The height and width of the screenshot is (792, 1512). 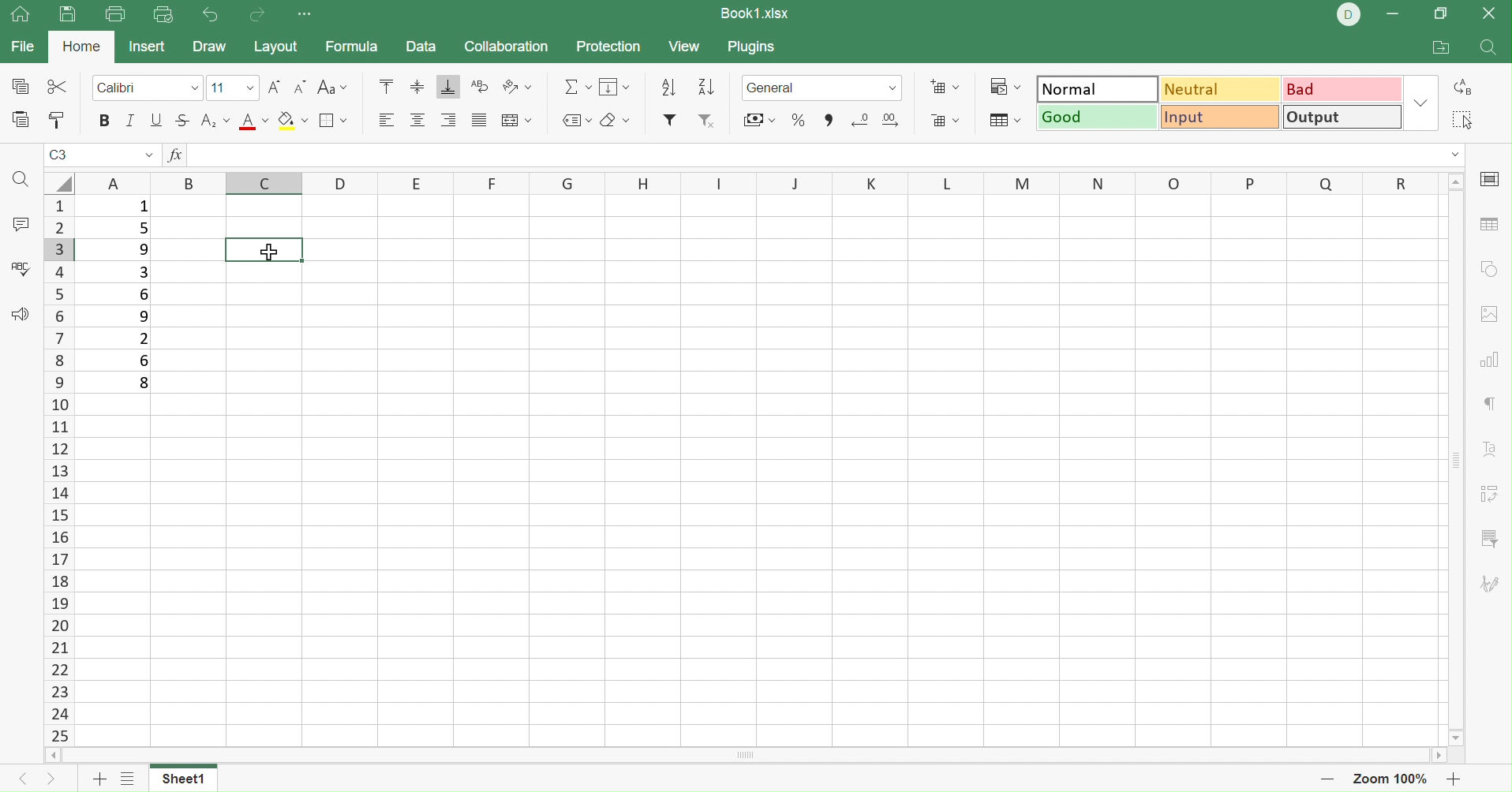 I want to click on Drop down, so click(x=1456, y=155).